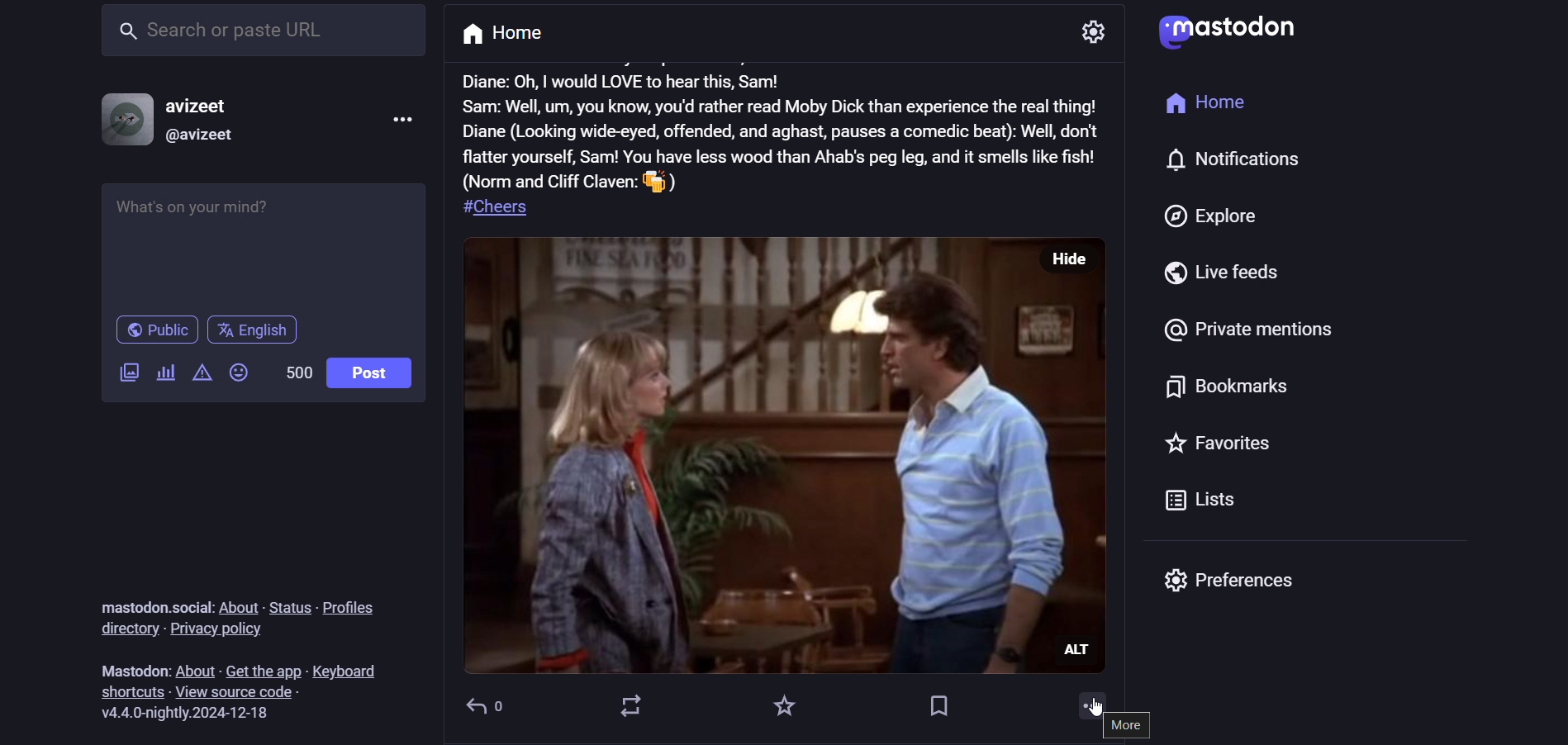 The width and height of the screenshot is (1568, 745). What do you see at coordinates (1090, 707) in the screenshot?
I see `more` at bounding box center [1090, 707].